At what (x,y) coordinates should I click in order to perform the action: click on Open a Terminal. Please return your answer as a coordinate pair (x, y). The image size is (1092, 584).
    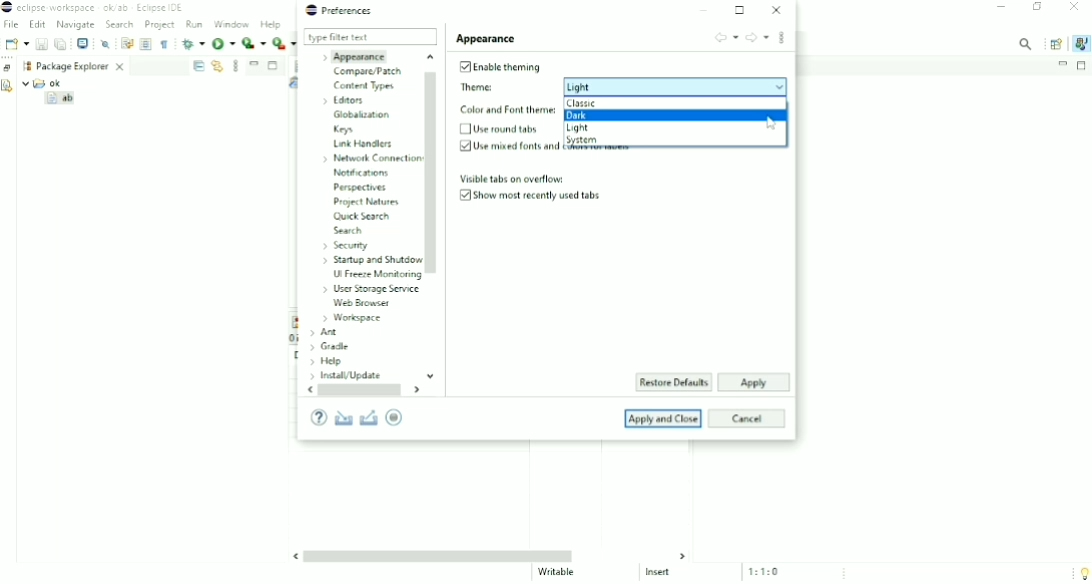
    Looking at the image, I should click on (83, 43).